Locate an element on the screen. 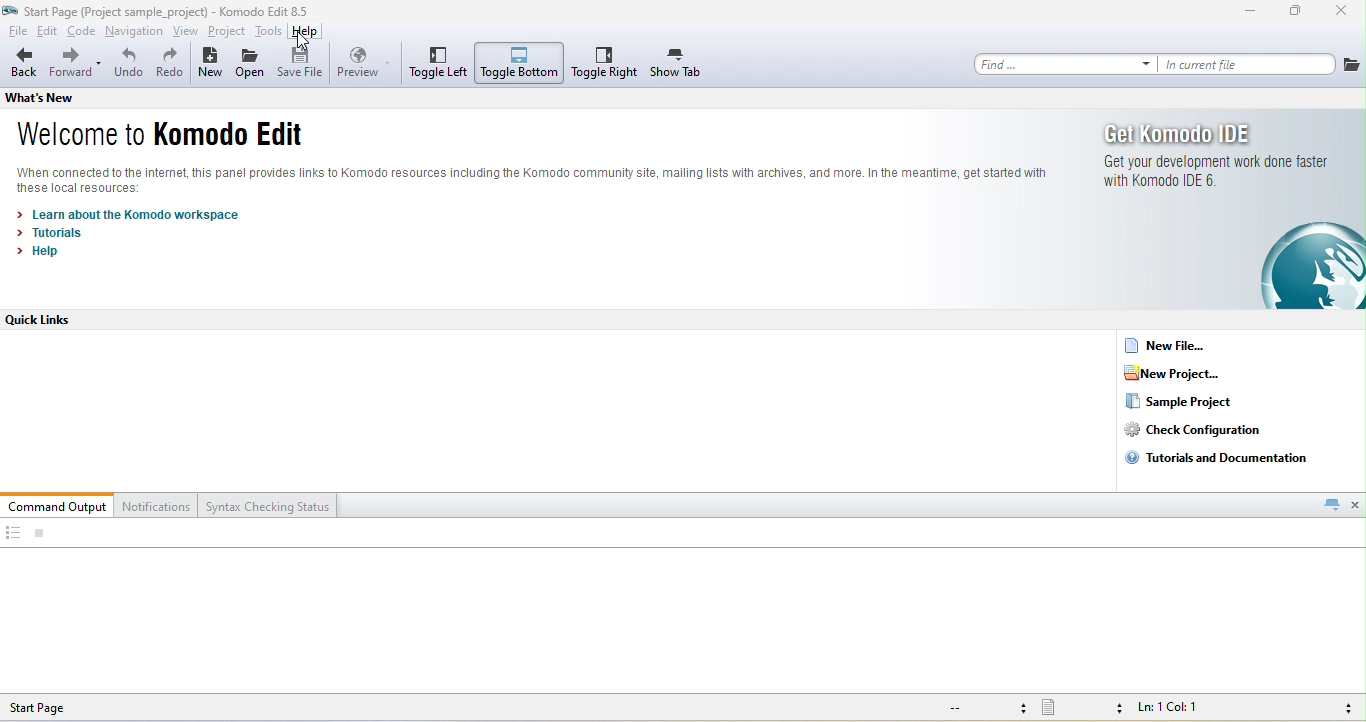 This screenshot has height=722, width=1366. sample project is located at coordinates (1180, 402).